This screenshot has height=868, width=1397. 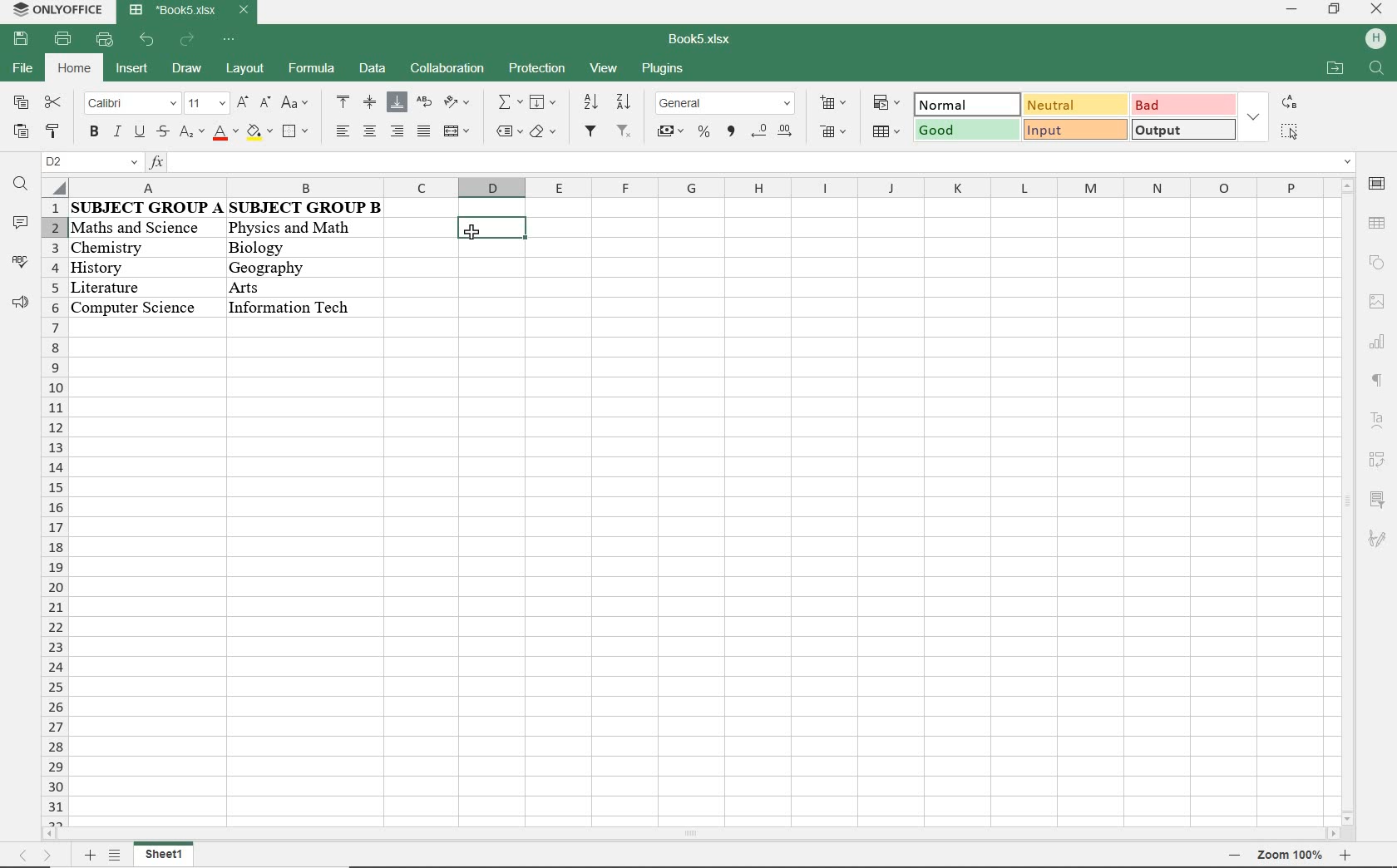 I want to click on align right, so click(x=396, y=131).